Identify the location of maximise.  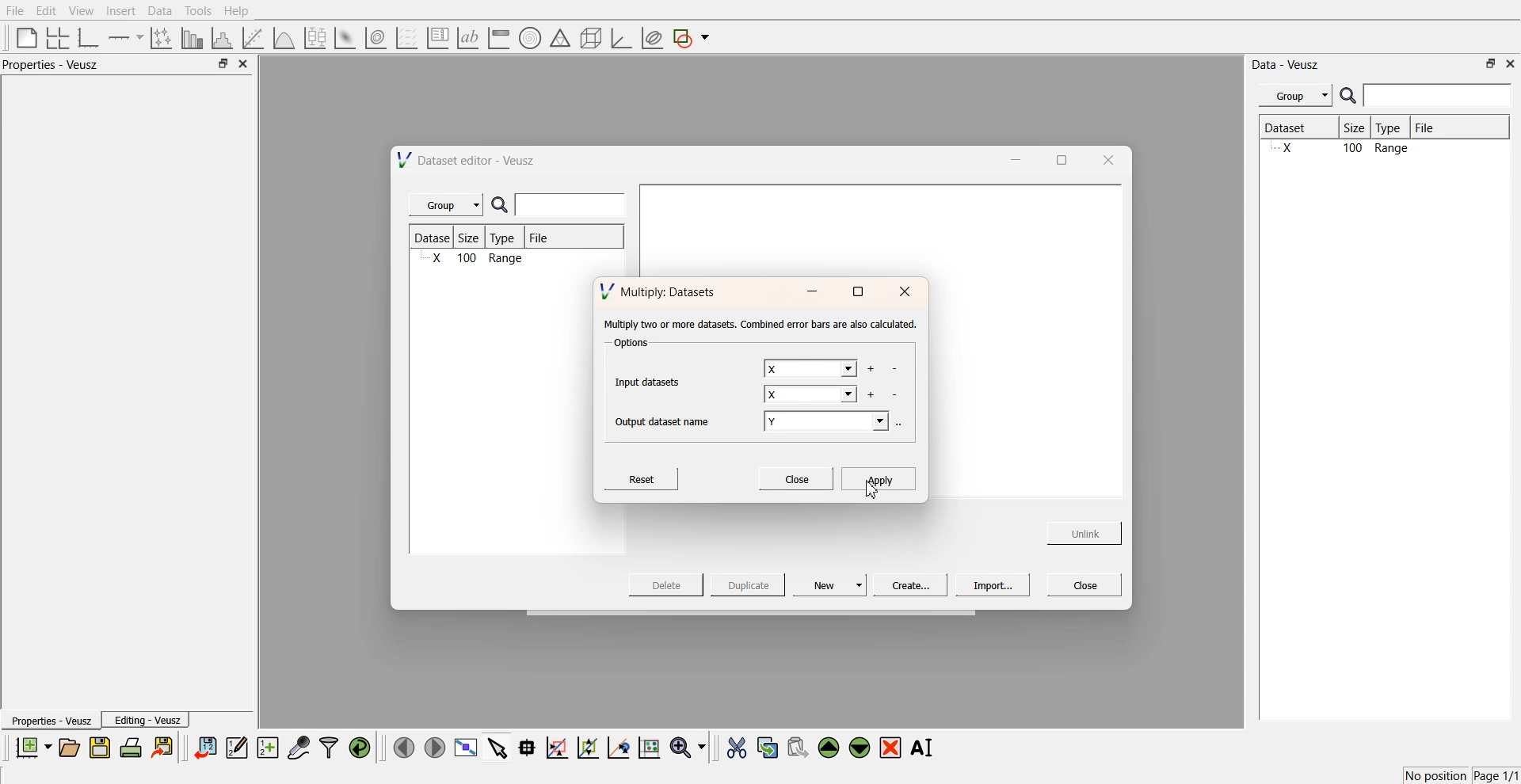
(857, 292).